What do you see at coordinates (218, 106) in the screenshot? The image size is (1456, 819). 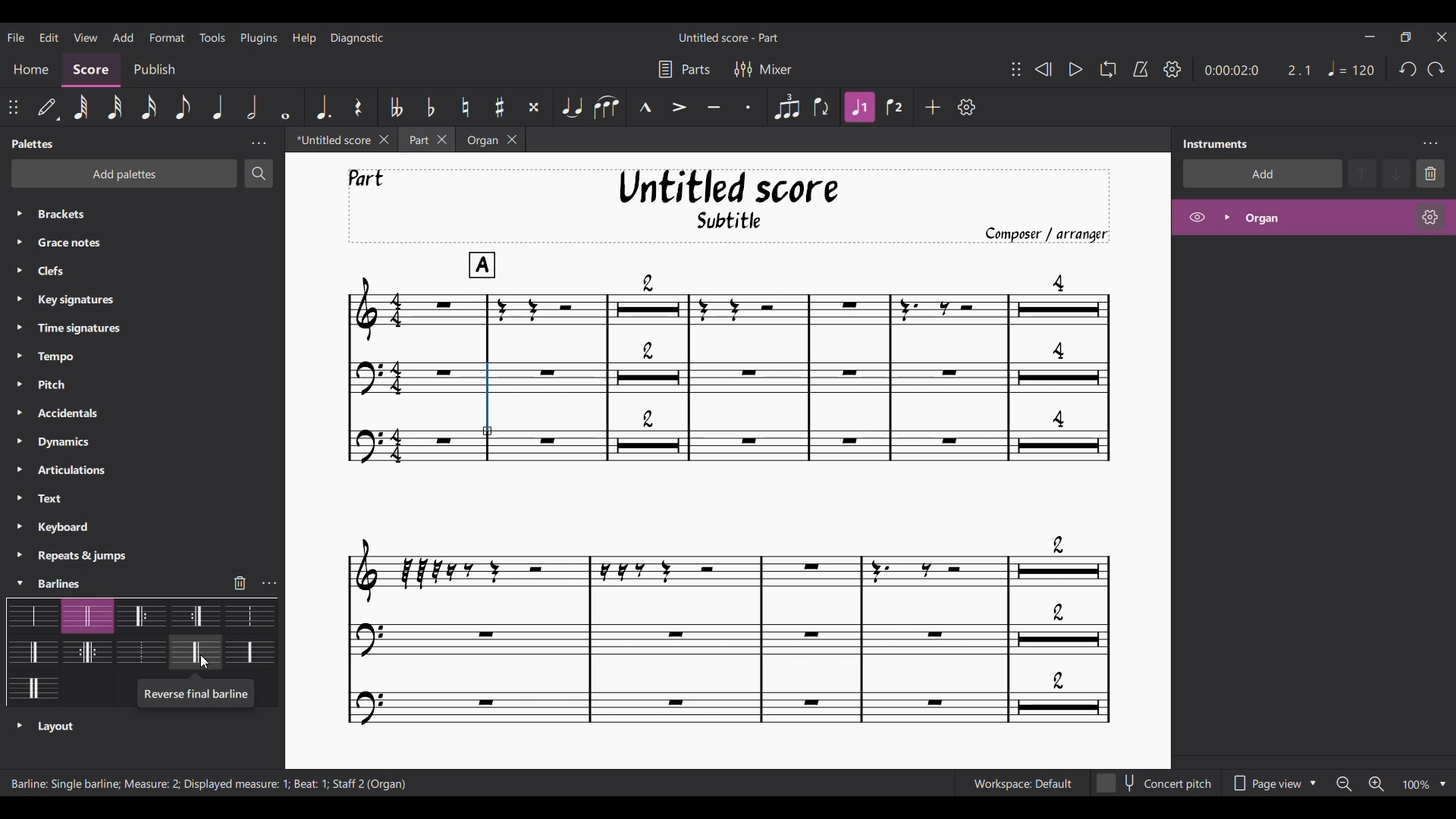 I see `Quater note` at bounding box center [218, 106].